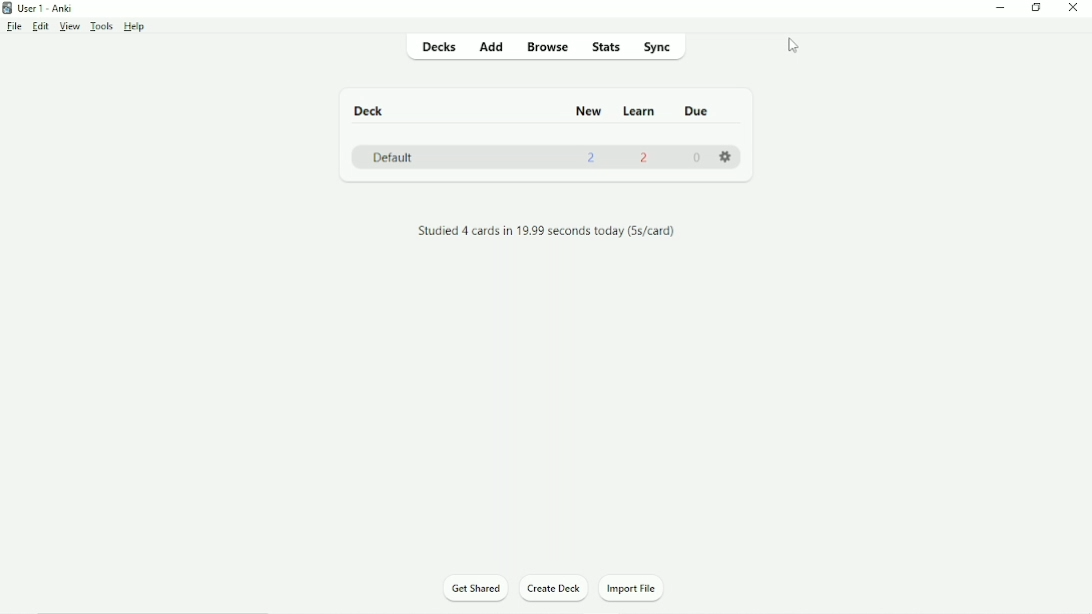 The width and height of the screenshot is (1092, 614). What do you see at coordinates (489, 46) in the screenshot?
I see `Add` at bounding box center [489, 46].